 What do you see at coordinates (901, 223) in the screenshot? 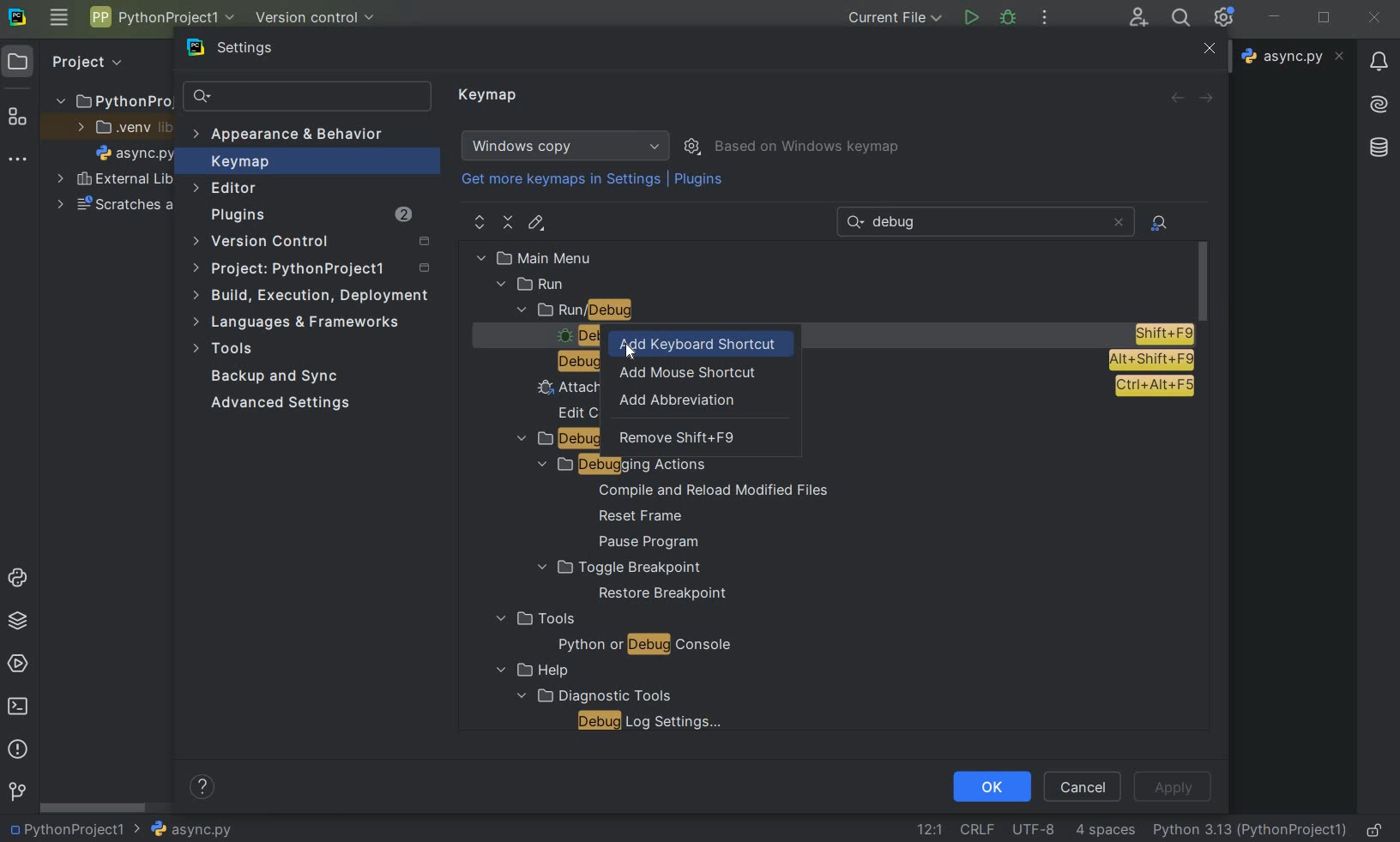
I see `text` at bounding box center [901, 223].